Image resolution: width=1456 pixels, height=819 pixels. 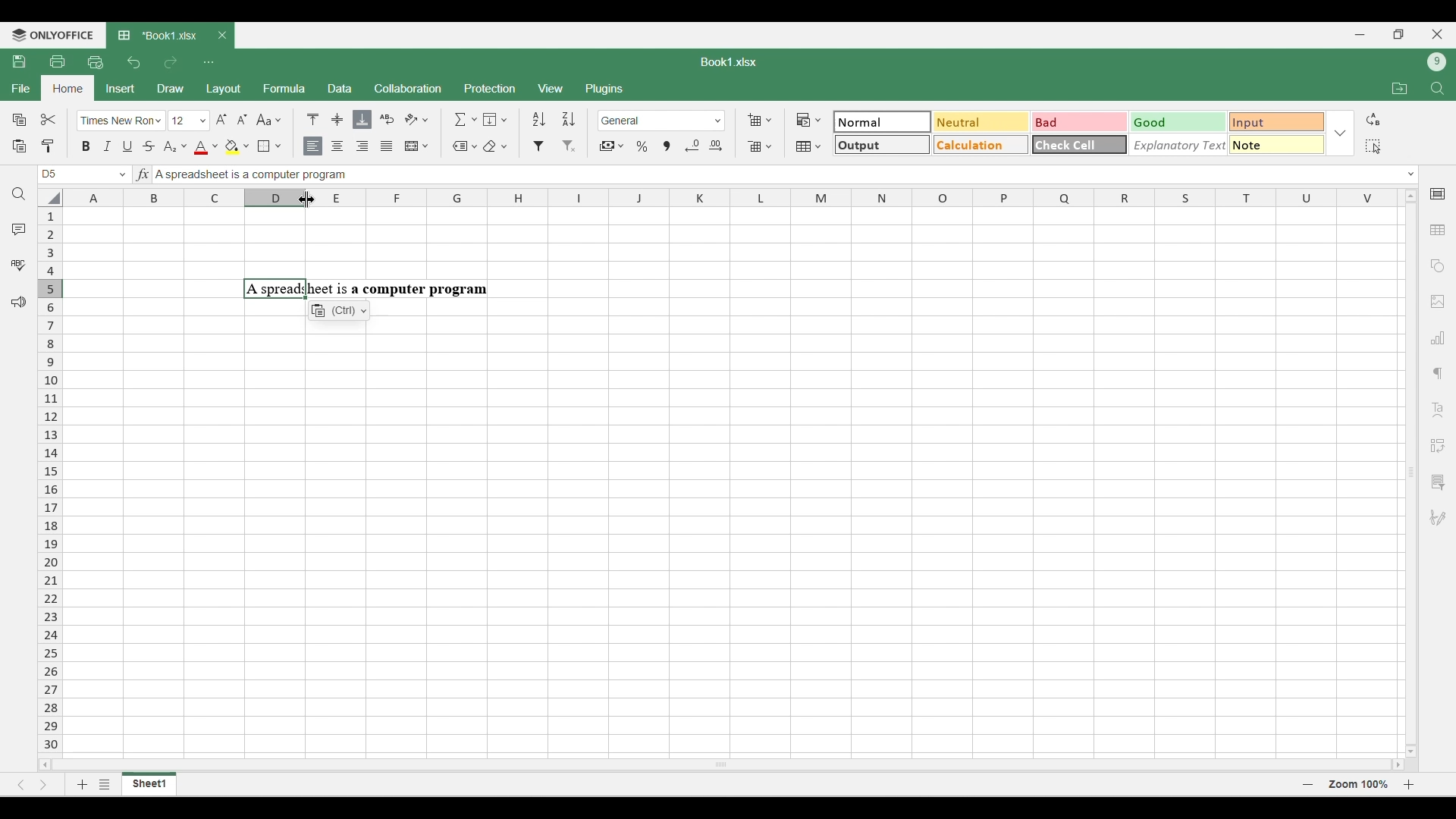 I want to click on Borders, so click(x=269, y=146).